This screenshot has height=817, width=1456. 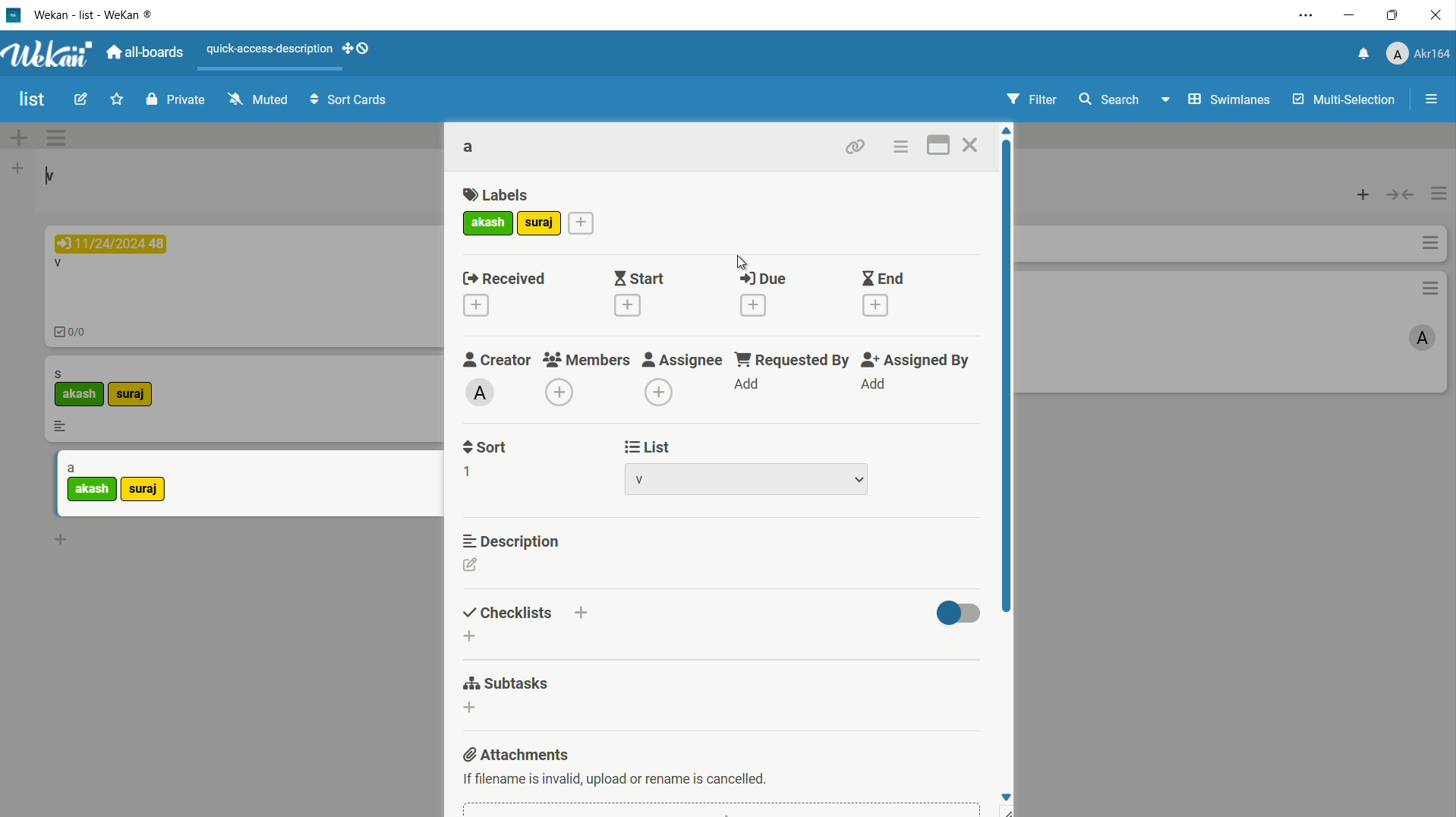 I want to click on add more label, so click(x=540, y=223).